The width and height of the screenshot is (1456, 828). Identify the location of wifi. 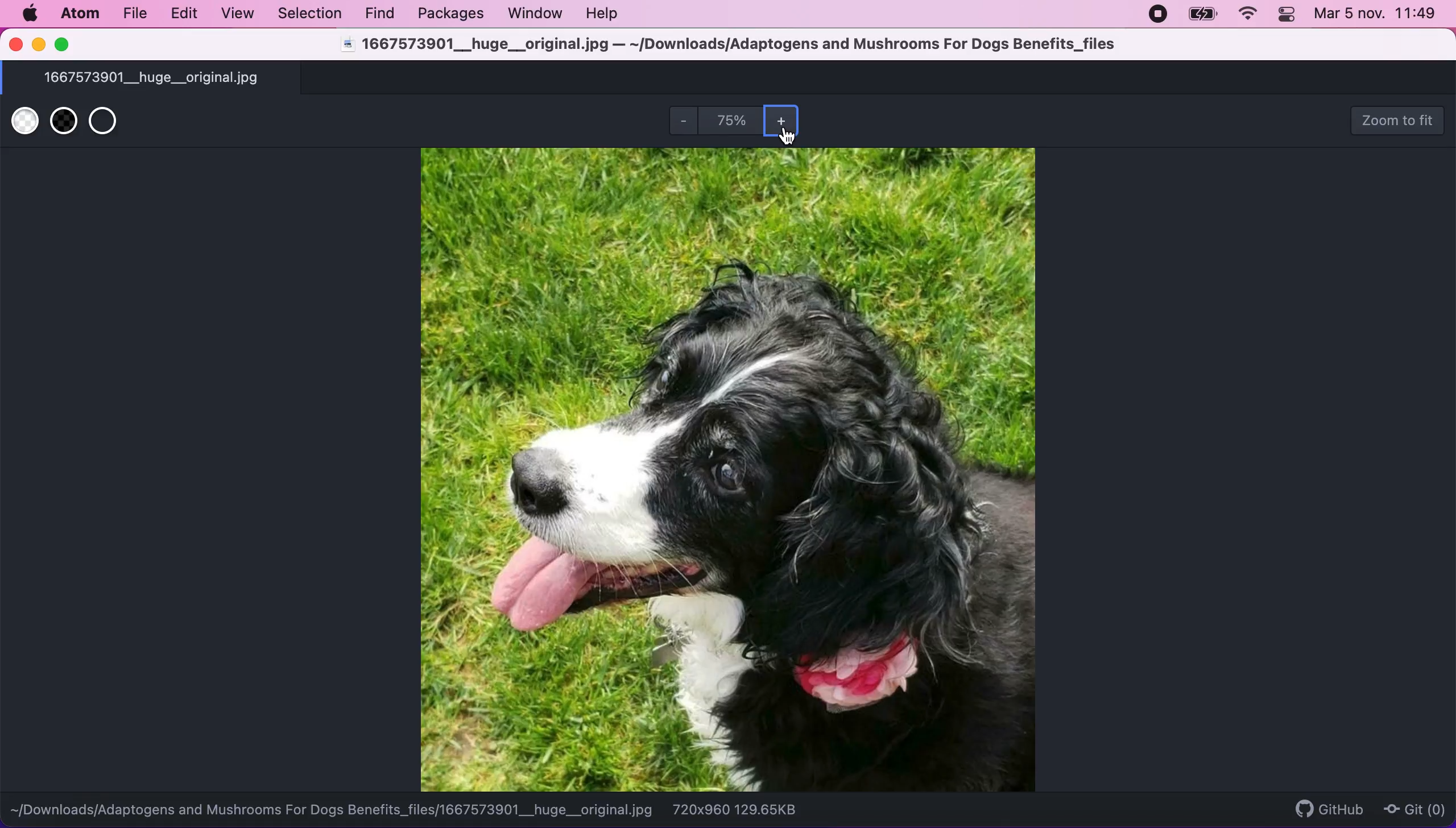
(1253, 15).